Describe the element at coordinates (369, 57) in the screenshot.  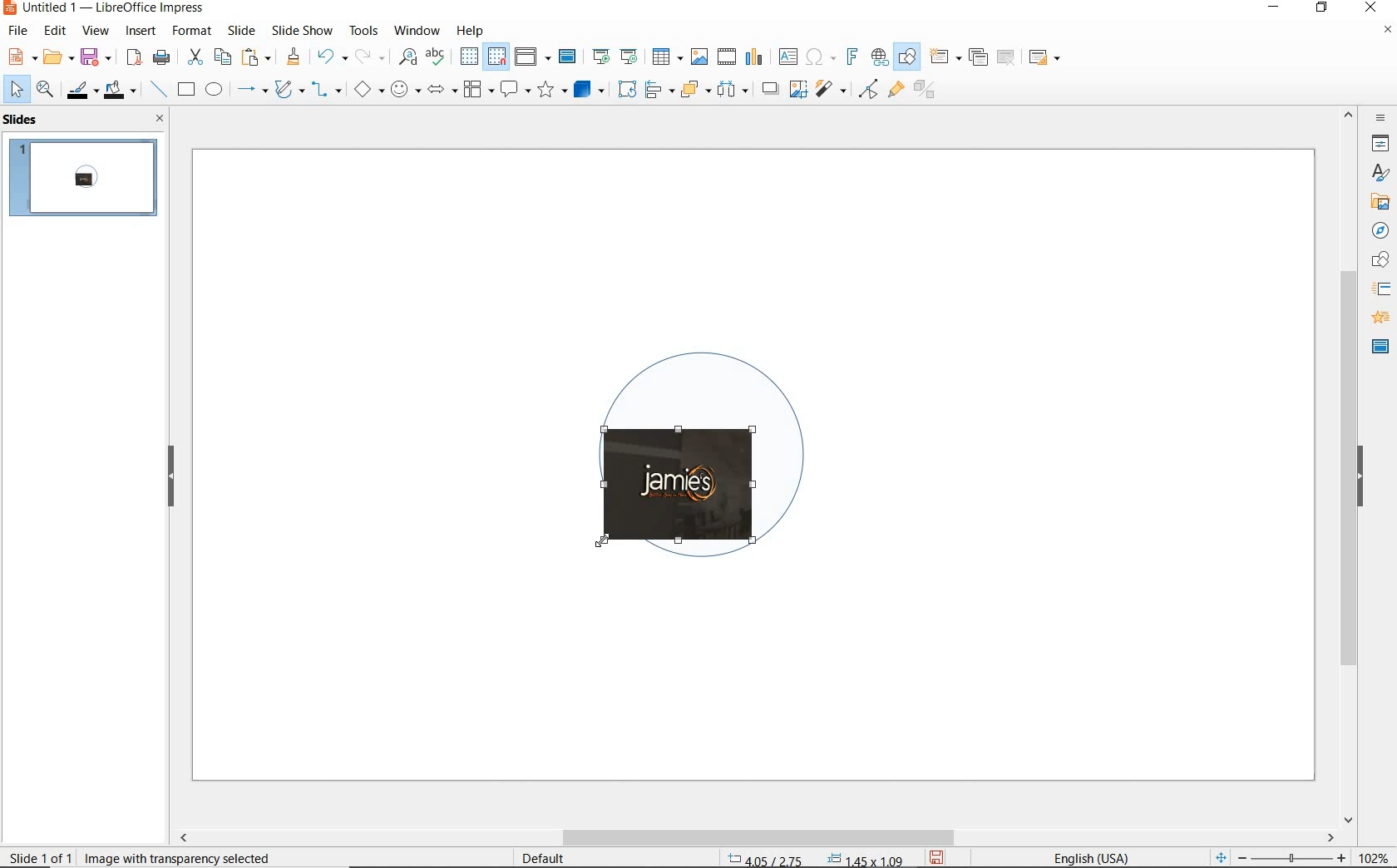
I see `redo` at that location.